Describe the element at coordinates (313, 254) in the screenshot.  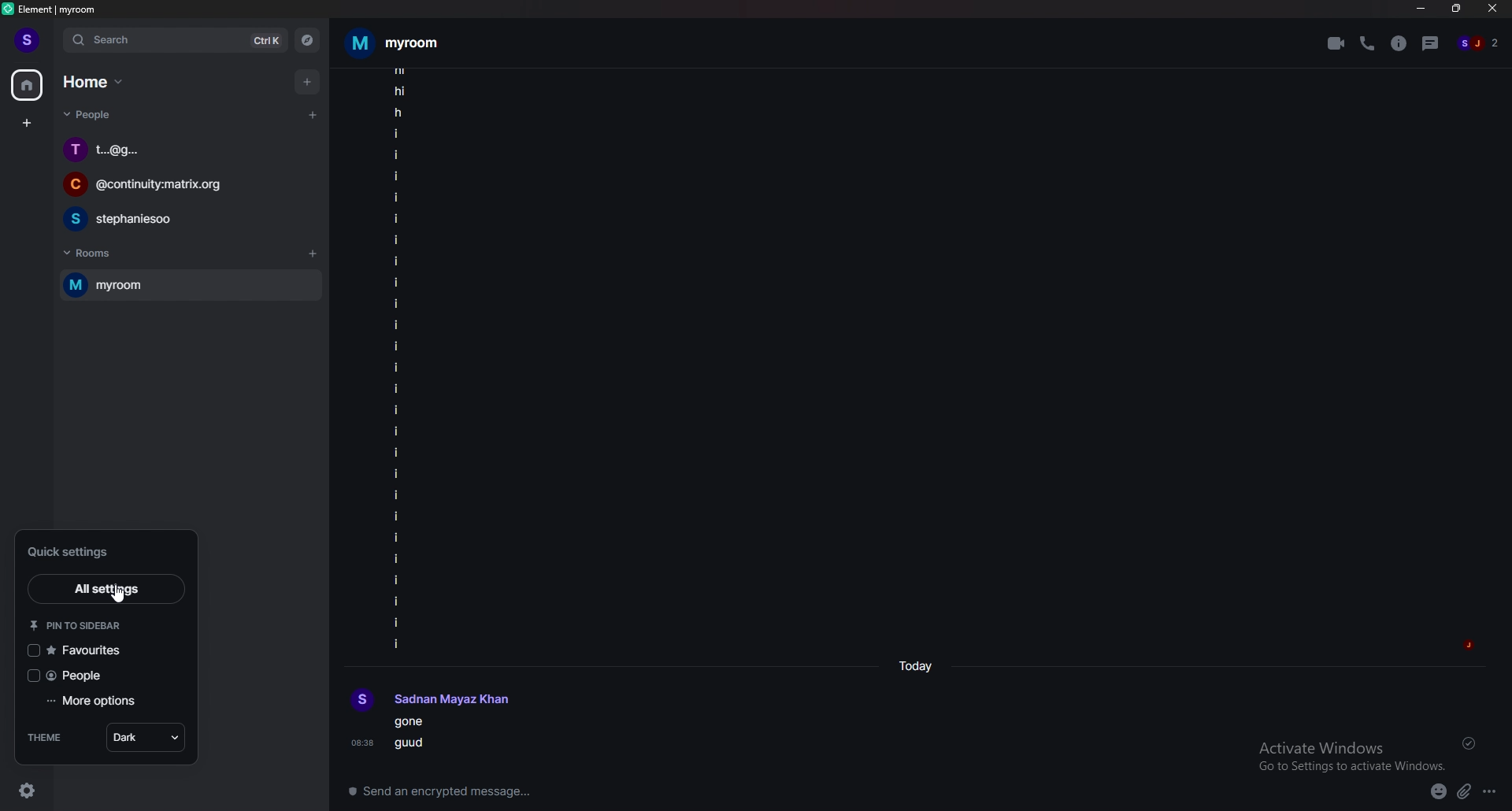
I see `add rooms` at that location.